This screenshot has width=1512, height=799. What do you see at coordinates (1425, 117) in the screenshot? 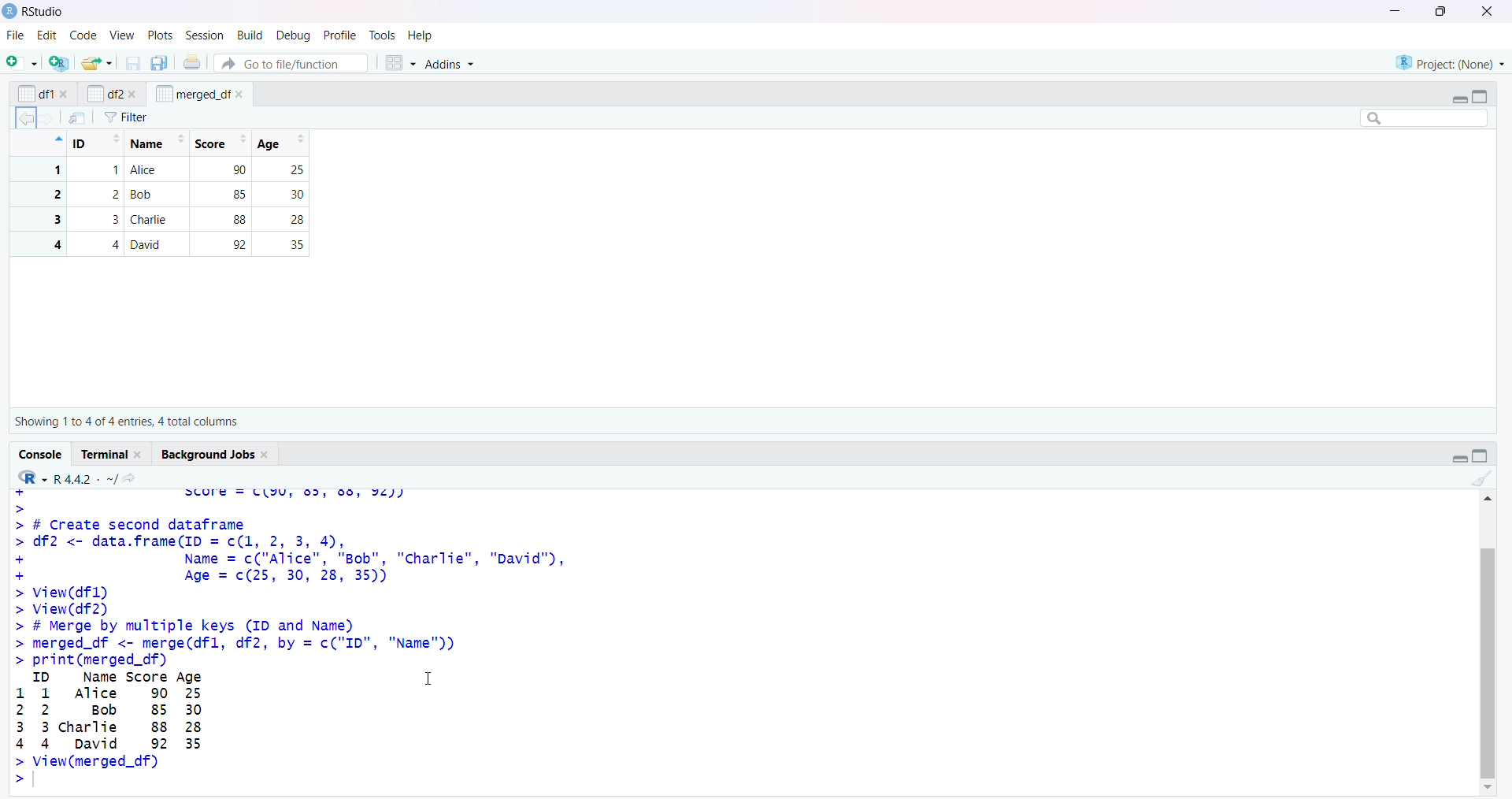
I see `searchbox` at bounding box center [1425, 117].